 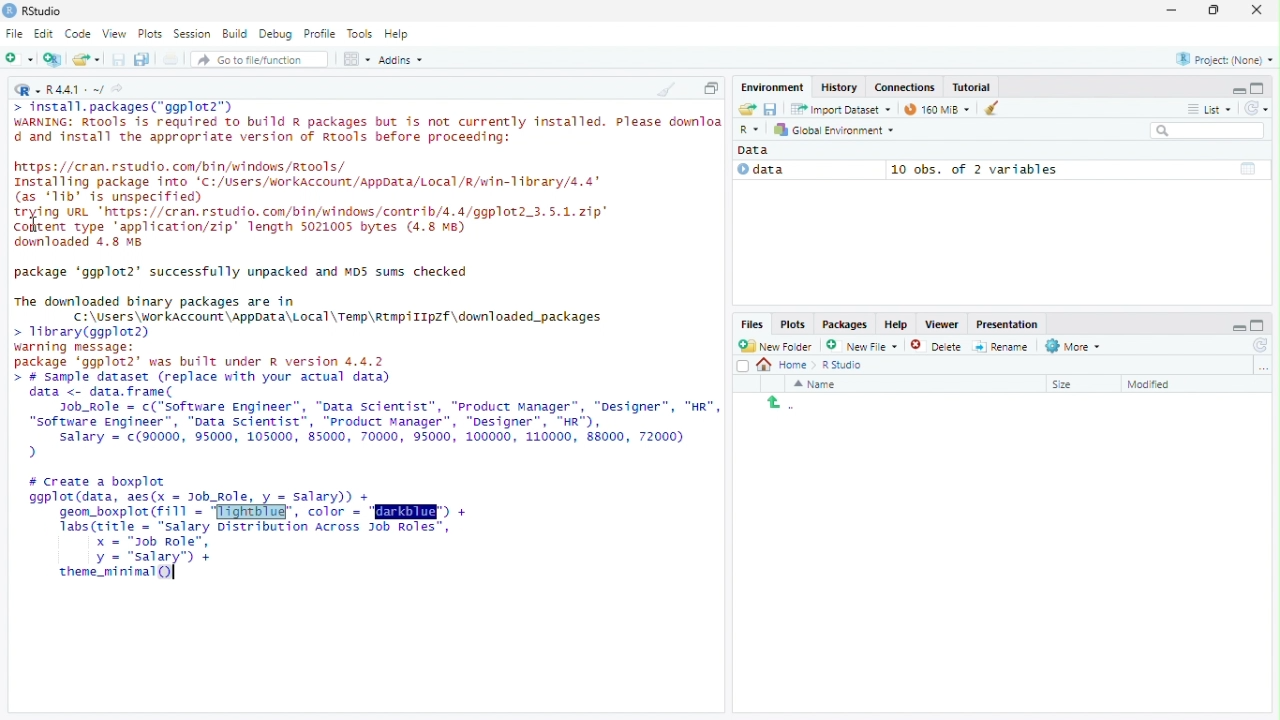 I want to click on Currently selected project - None, so click(x=1223, y=58).